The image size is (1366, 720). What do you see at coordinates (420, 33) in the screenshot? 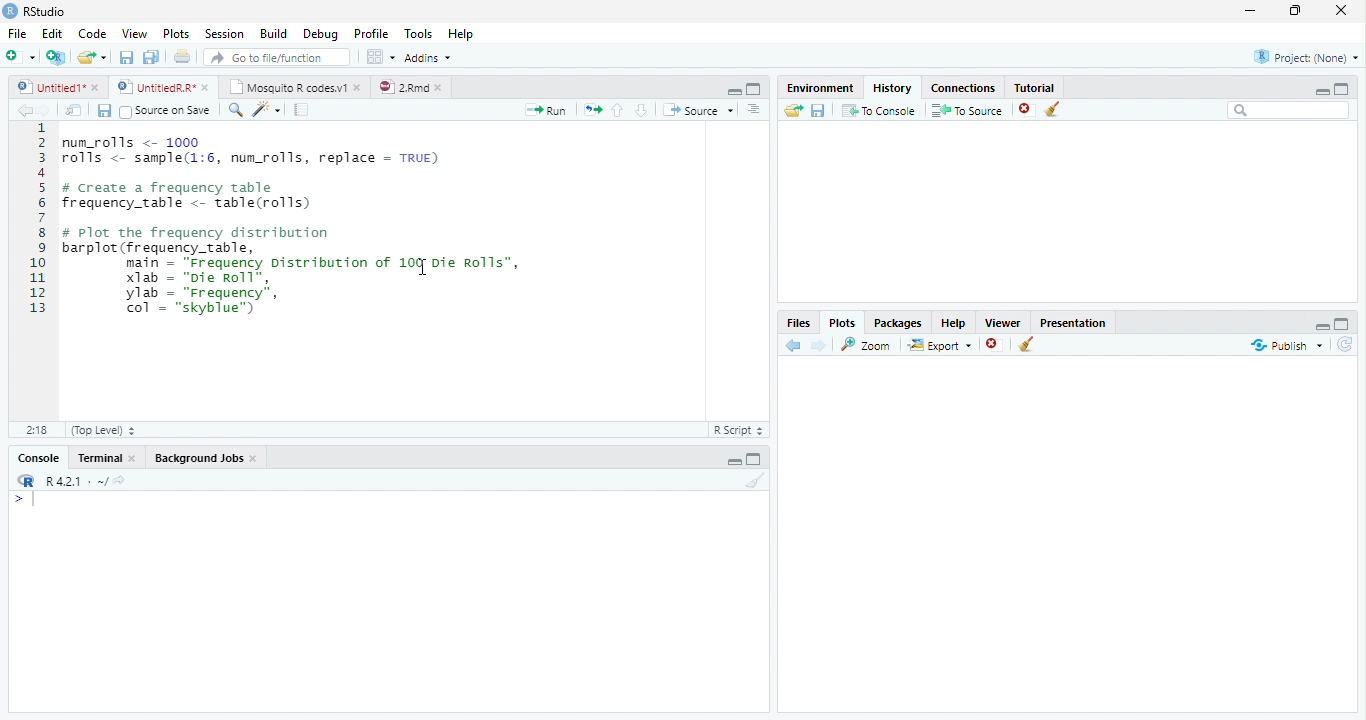
I see `Tools` at bounding box center [420, 33].